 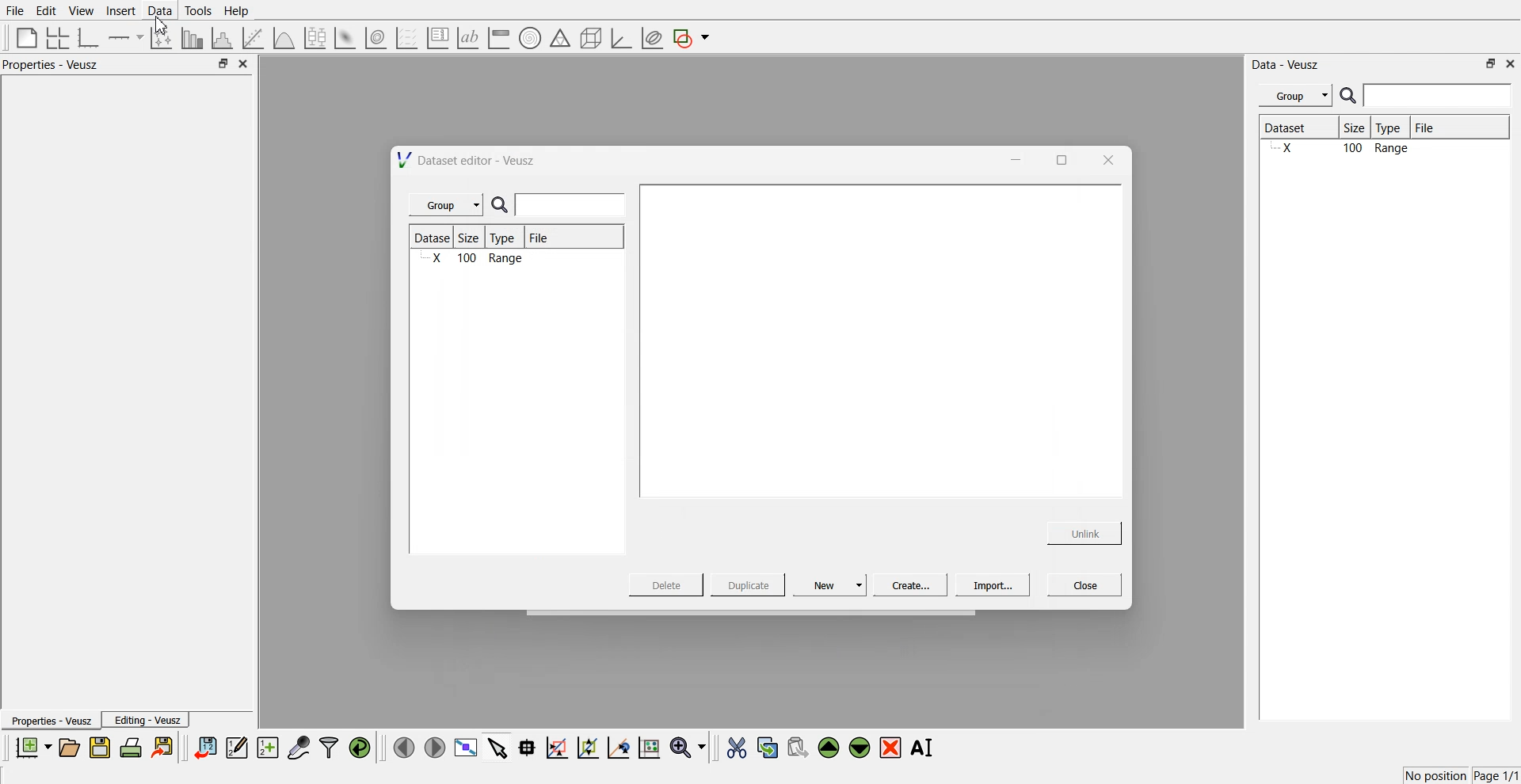 What do you see at coordinates (908, 584) in the screenshot?
I see `Create...` at bounding box center [908, 584].